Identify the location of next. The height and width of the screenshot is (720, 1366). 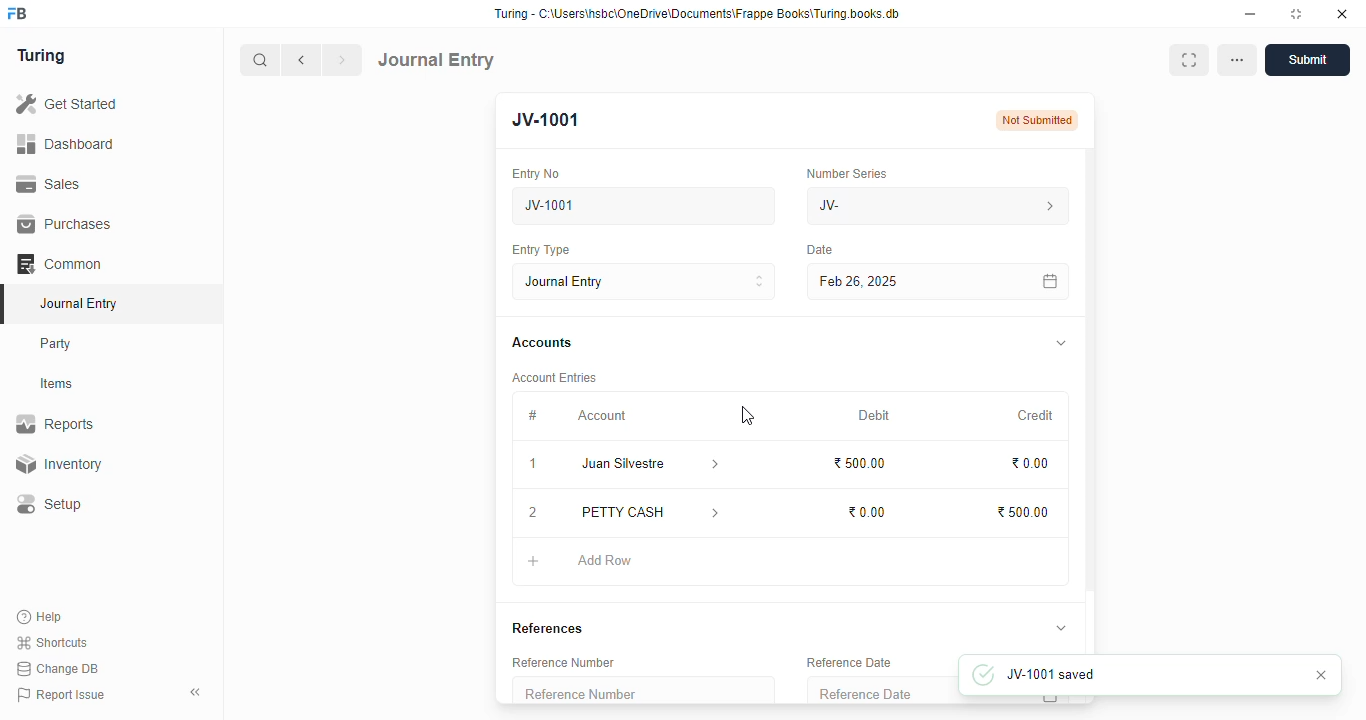
(344, 60).